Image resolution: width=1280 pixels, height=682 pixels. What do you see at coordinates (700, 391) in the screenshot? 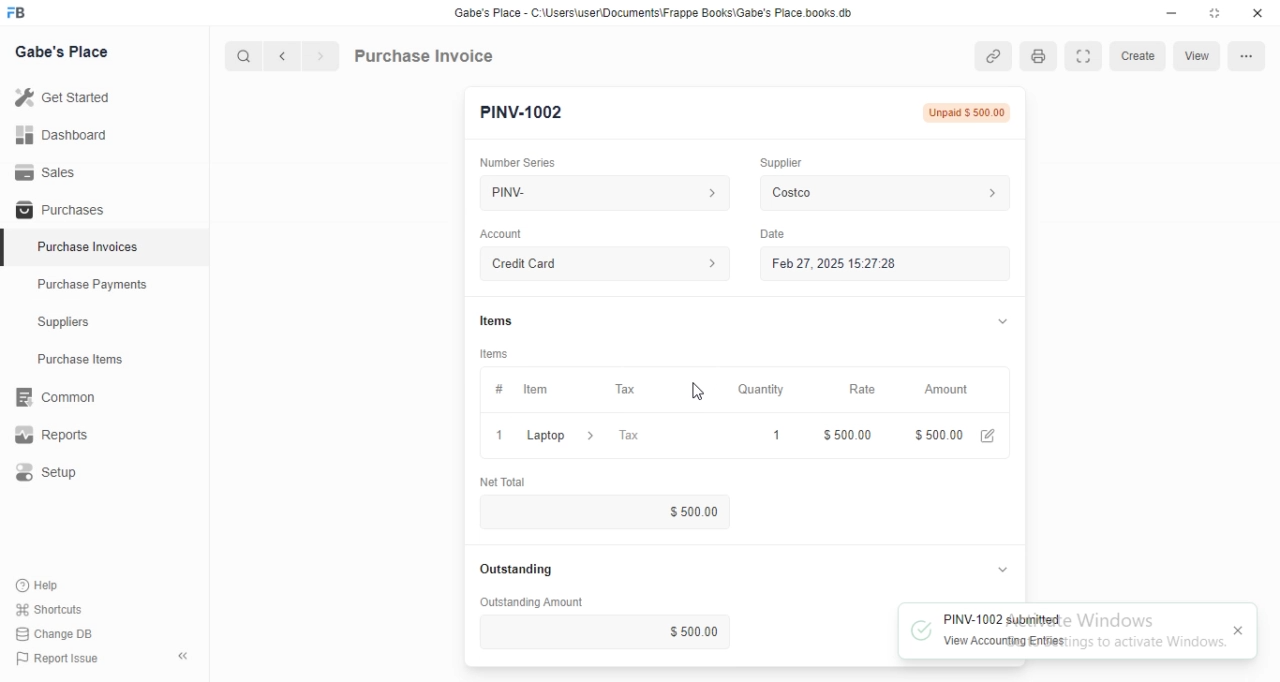
I see `Cursor` at bounding box center [700, 391].